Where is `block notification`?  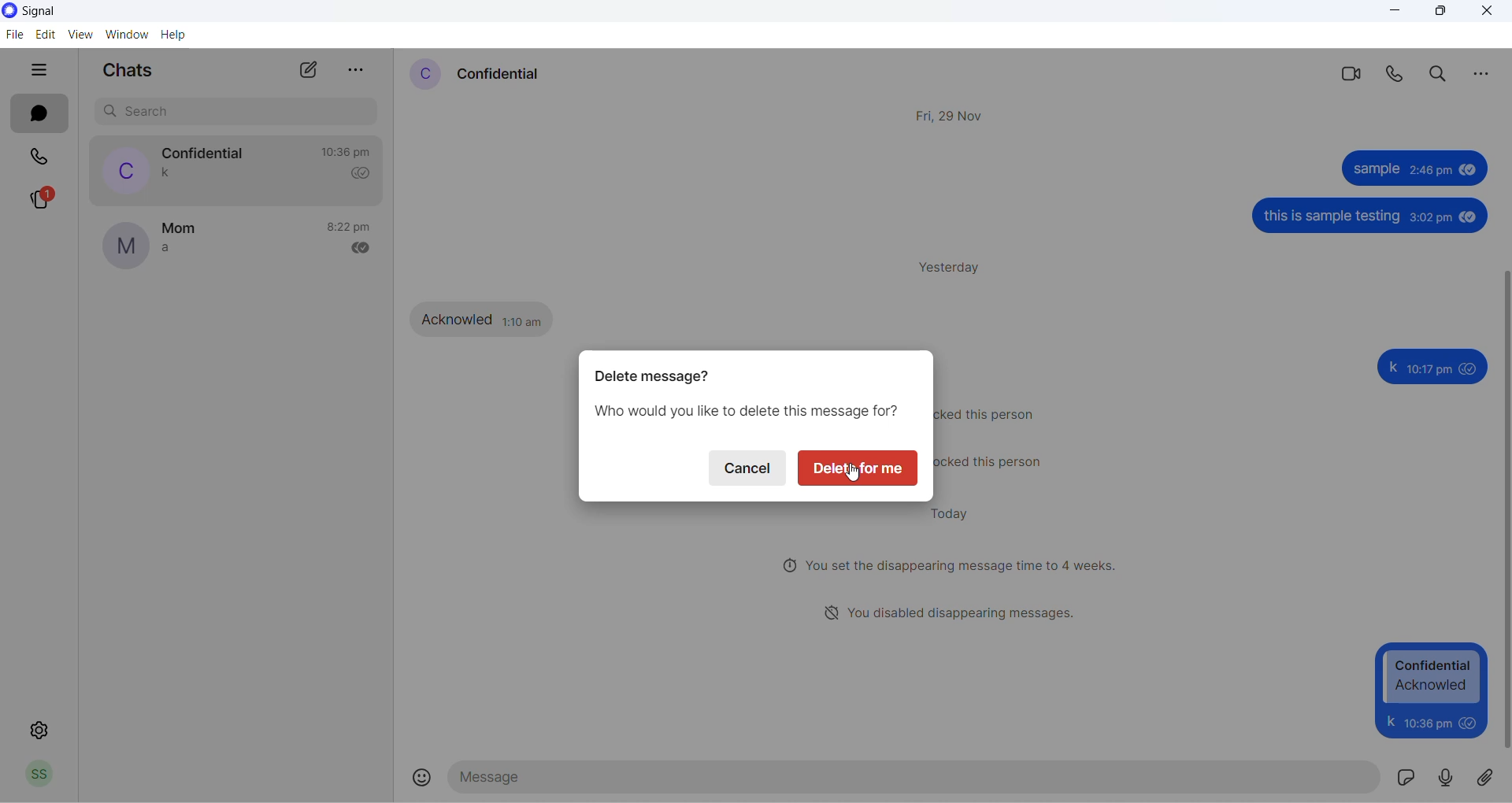 block notification is located at coordinates (1010, 413).